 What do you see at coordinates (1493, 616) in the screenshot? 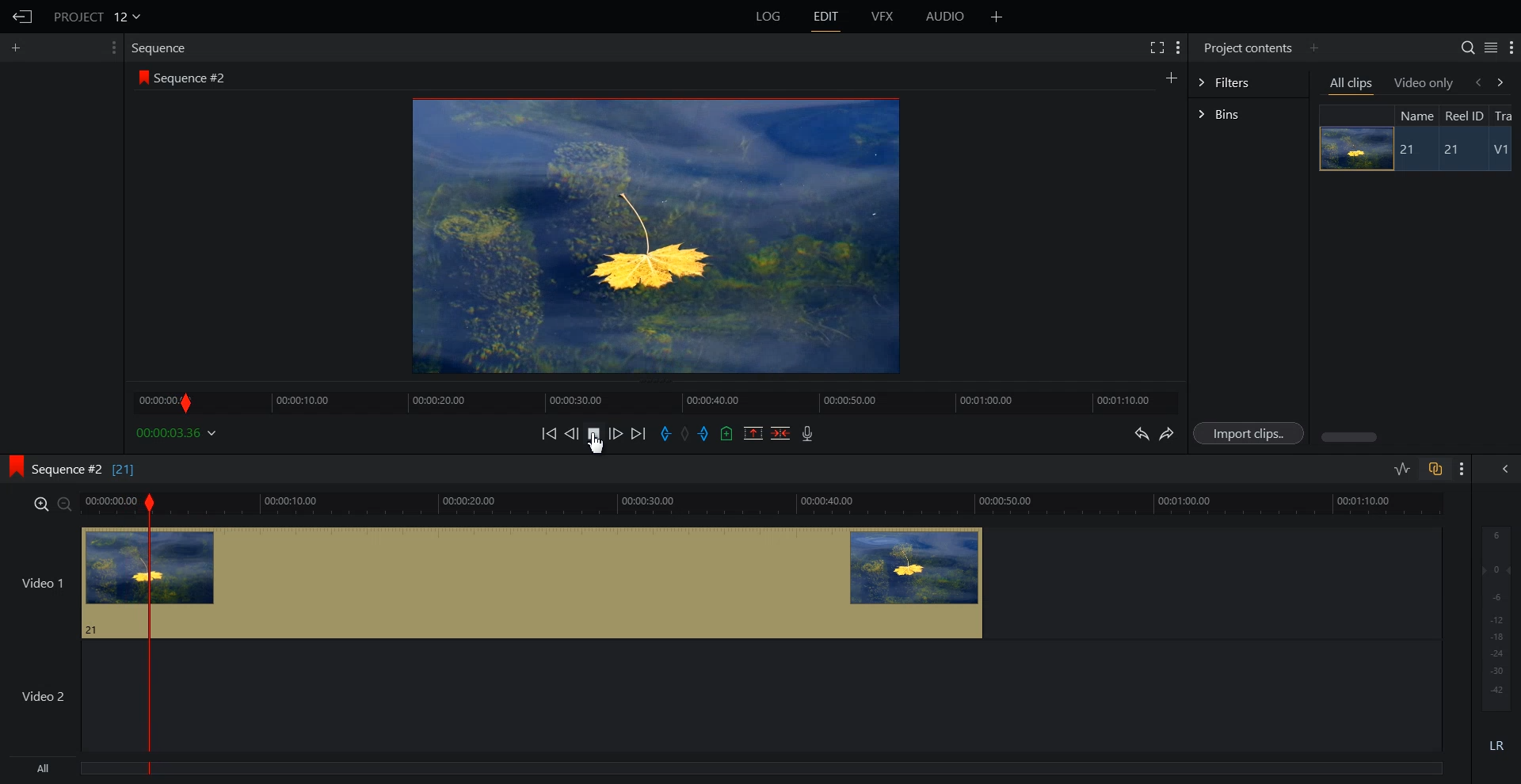
I see `Audio output level` at bounding box center [1493, 616].